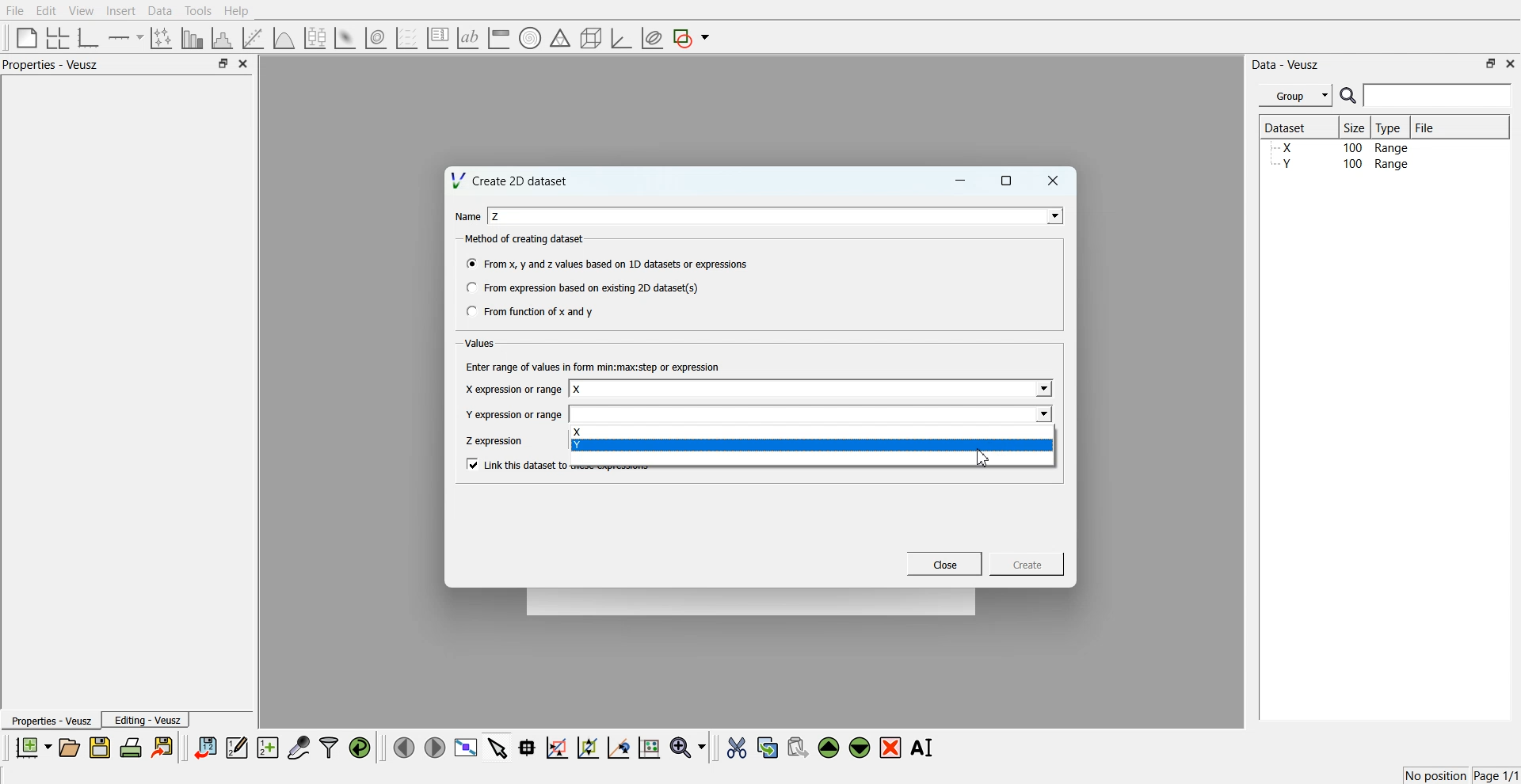 The height and width of the screenshot is (784, 1521). Describe the element at coordinates (130, 747) in the screenshot. I see `Print the document` at that location.